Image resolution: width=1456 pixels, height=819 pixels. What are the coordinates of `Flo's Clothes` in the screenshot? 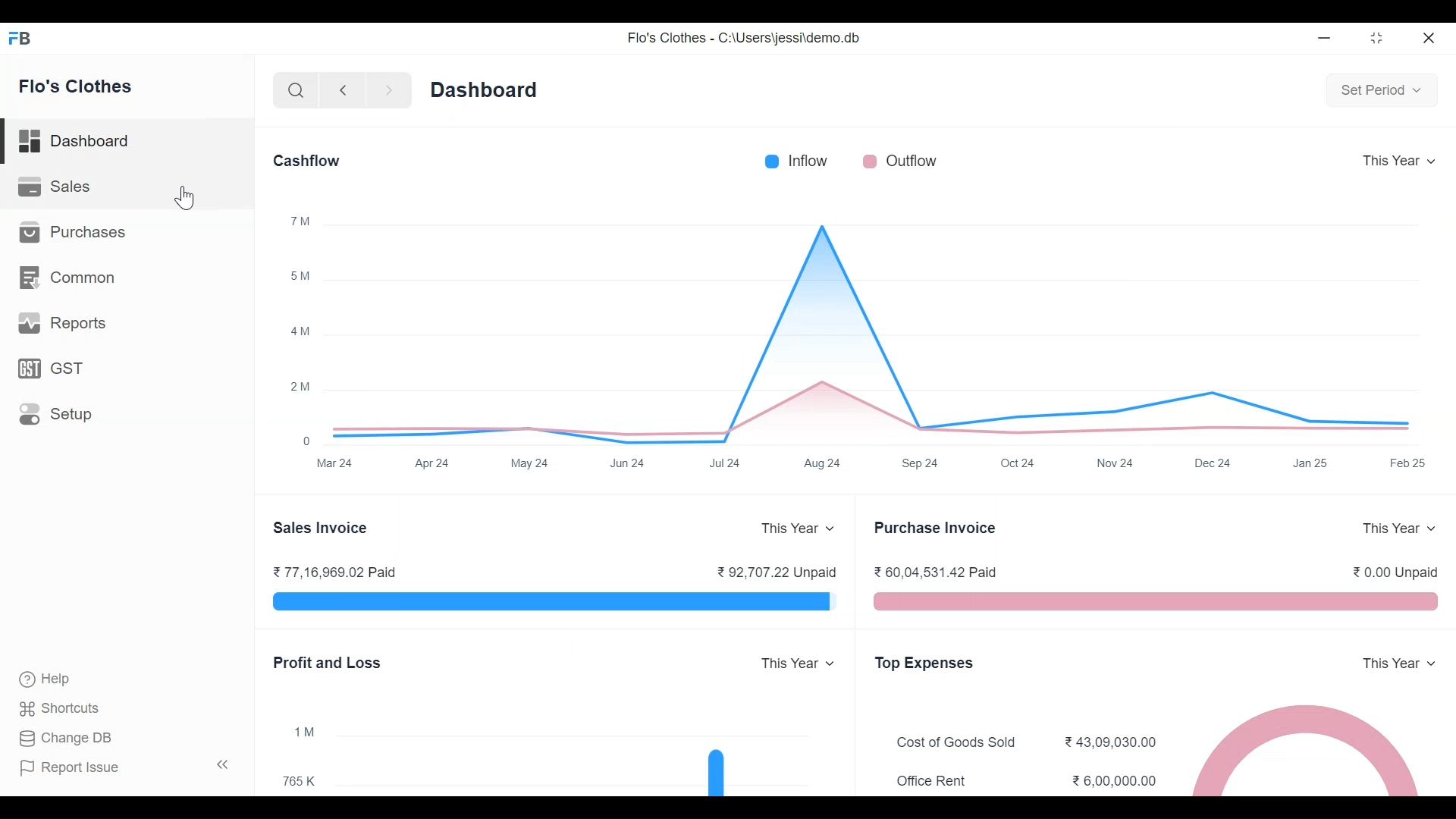 It's located at (77, 86).